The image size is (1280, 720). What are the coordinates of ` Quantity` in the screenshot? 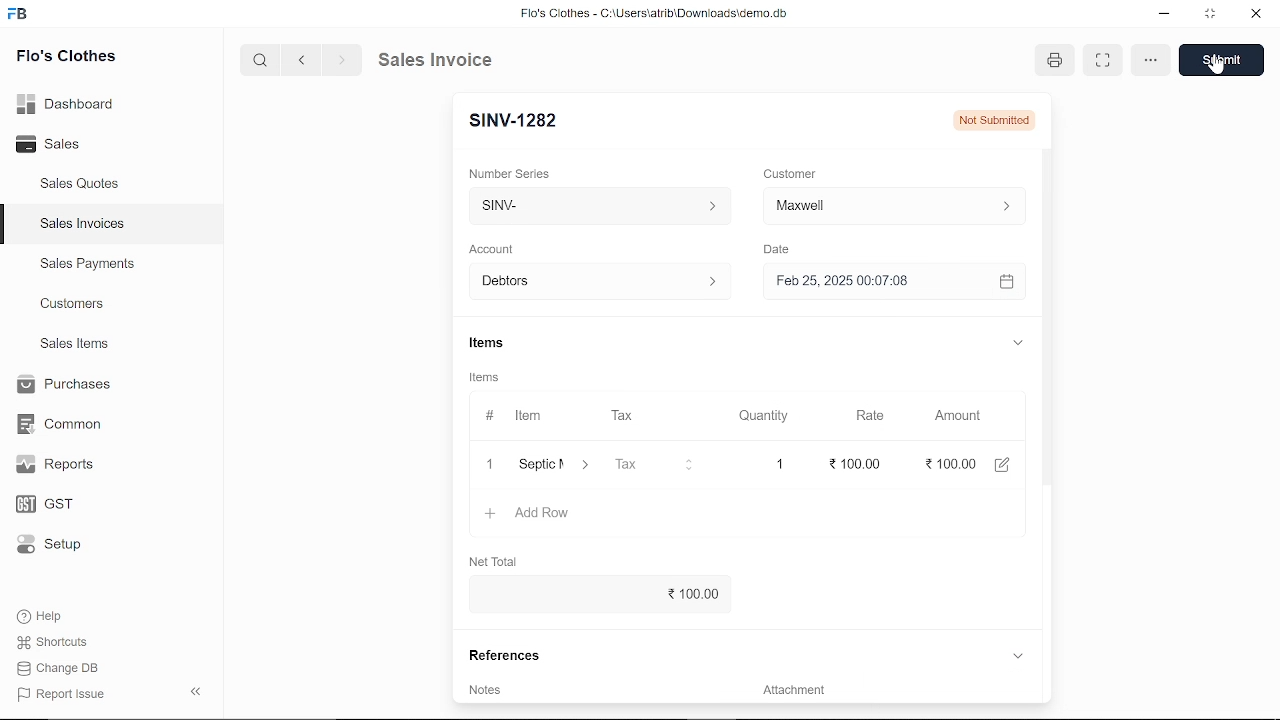 It's located at (760, 416).